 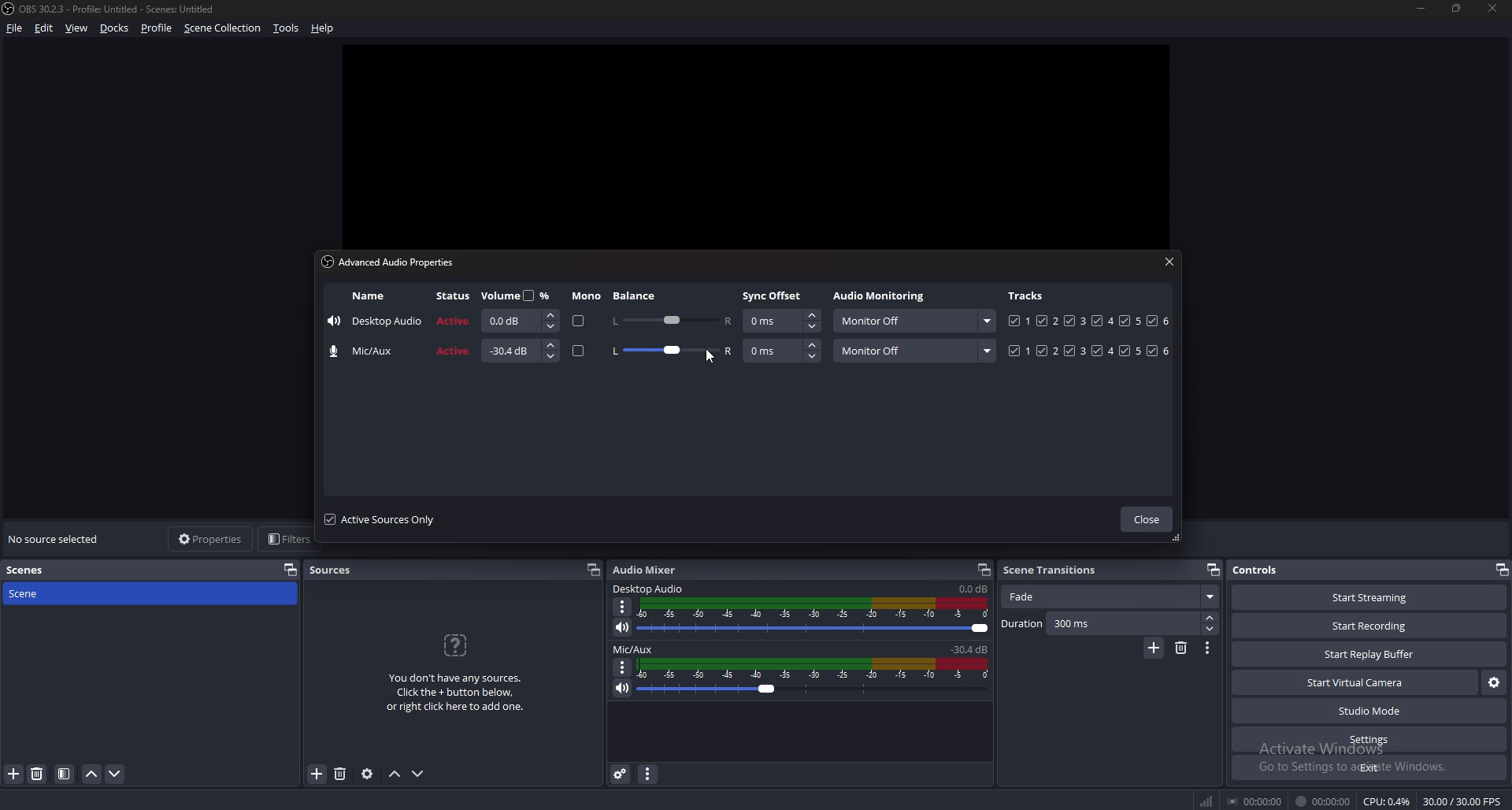 What do you see at coordinates (1210, 801) in the screenshot?
I see `network` at bounding box center [1210, 801].